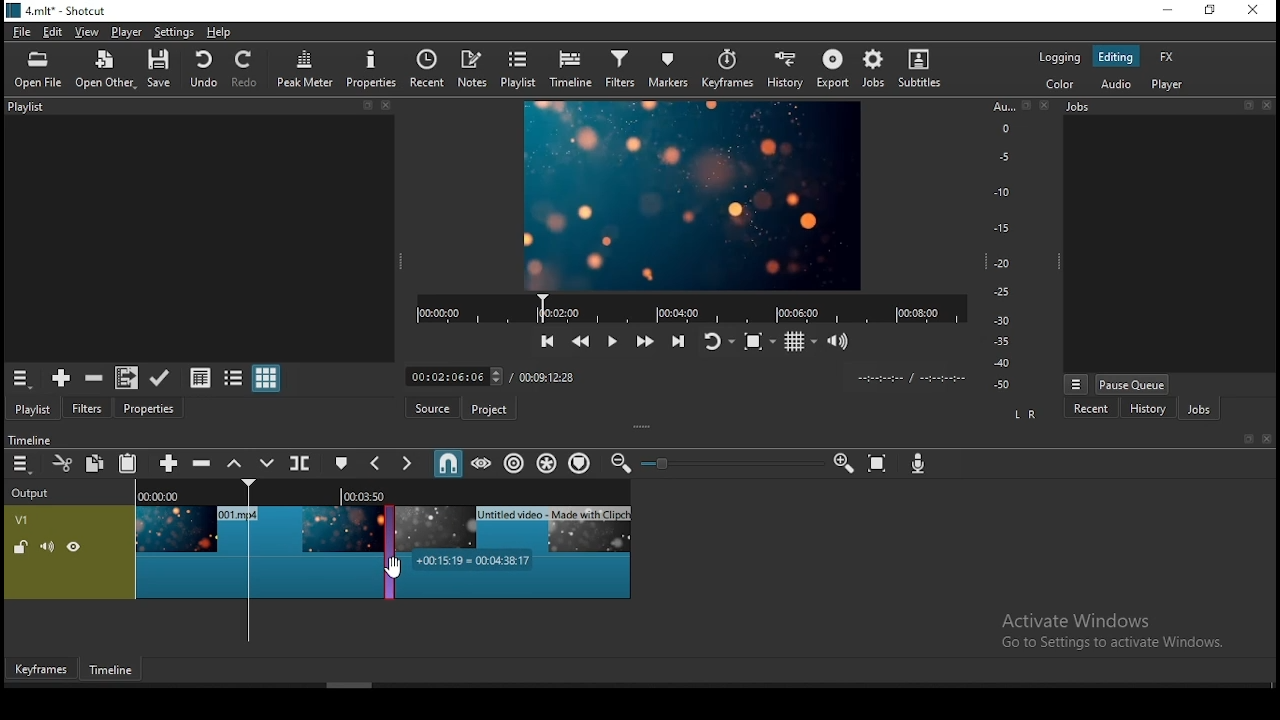  What do you see at coordinates (396, 570) in the screenshot?
I see `mouse pointer` at bounding box center [396, 570].